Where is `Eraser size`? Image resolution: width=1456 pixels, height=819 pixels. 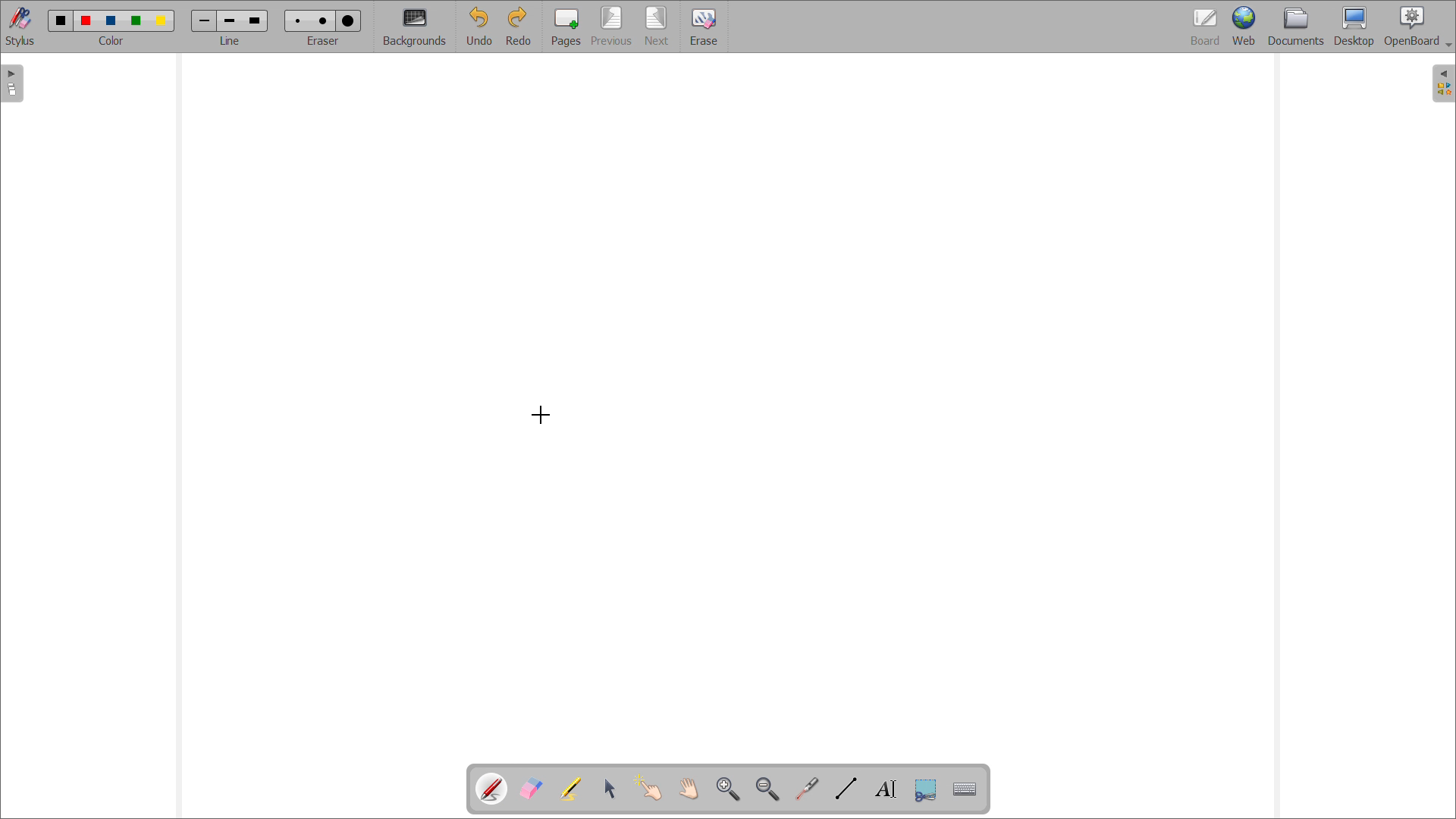
Eraser size is located at coordinates (348, 21).